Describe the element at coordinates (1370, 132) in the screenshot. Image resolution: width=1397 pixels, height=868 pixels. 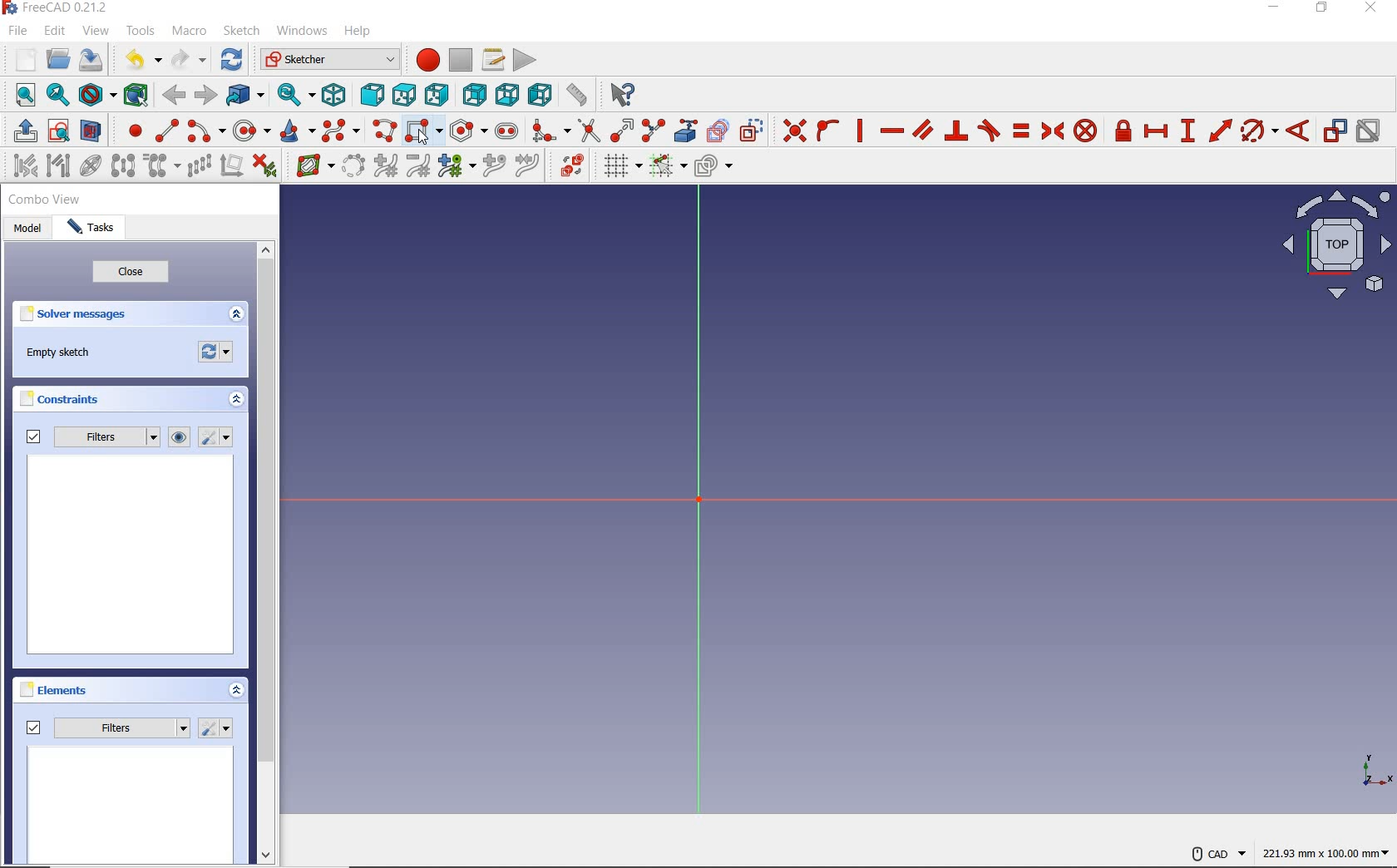
I see `activate/deactivate constraint` at that location.